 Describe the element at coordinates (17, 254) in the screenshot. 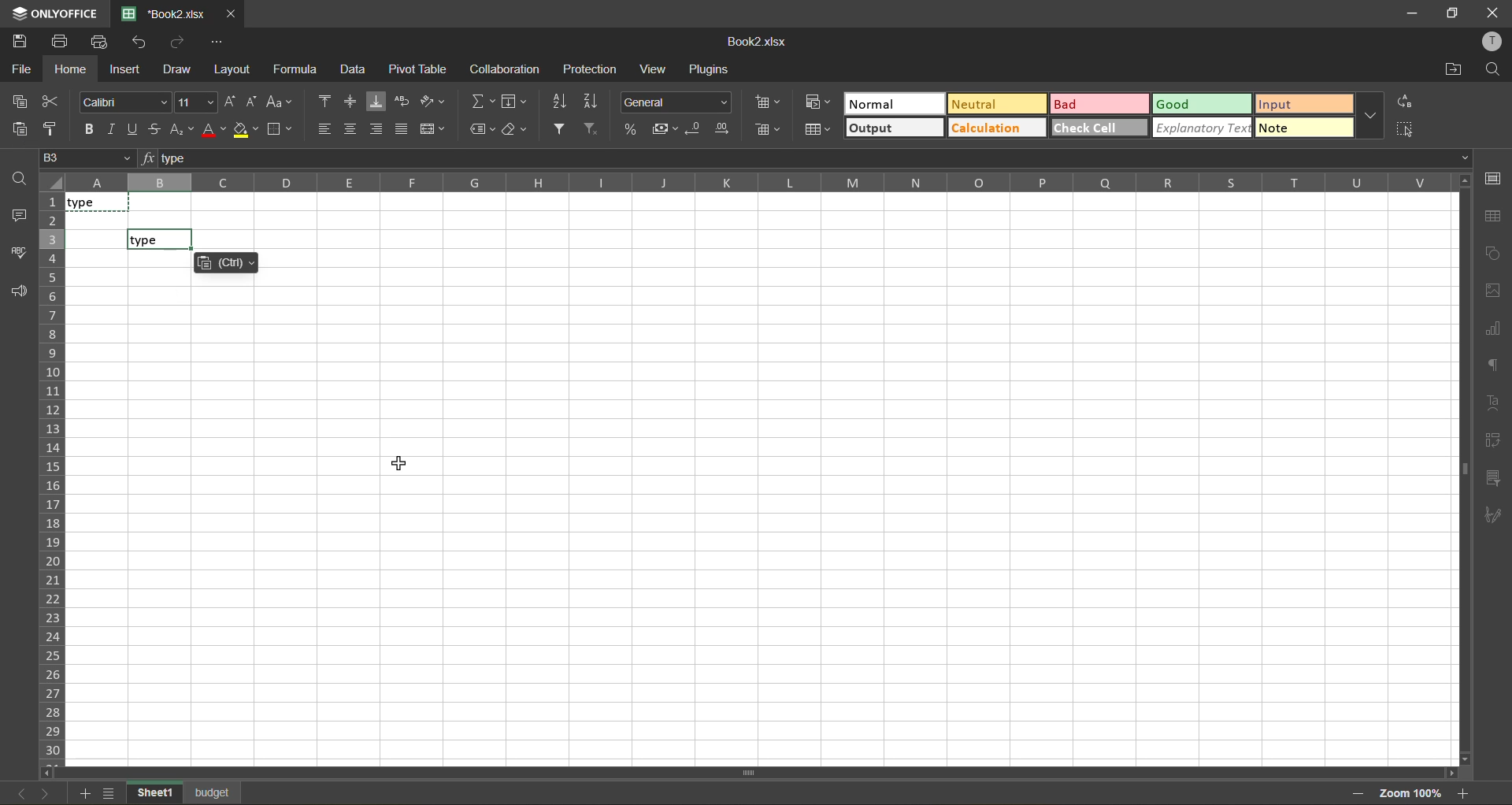

I see `spellcheck` at that location.